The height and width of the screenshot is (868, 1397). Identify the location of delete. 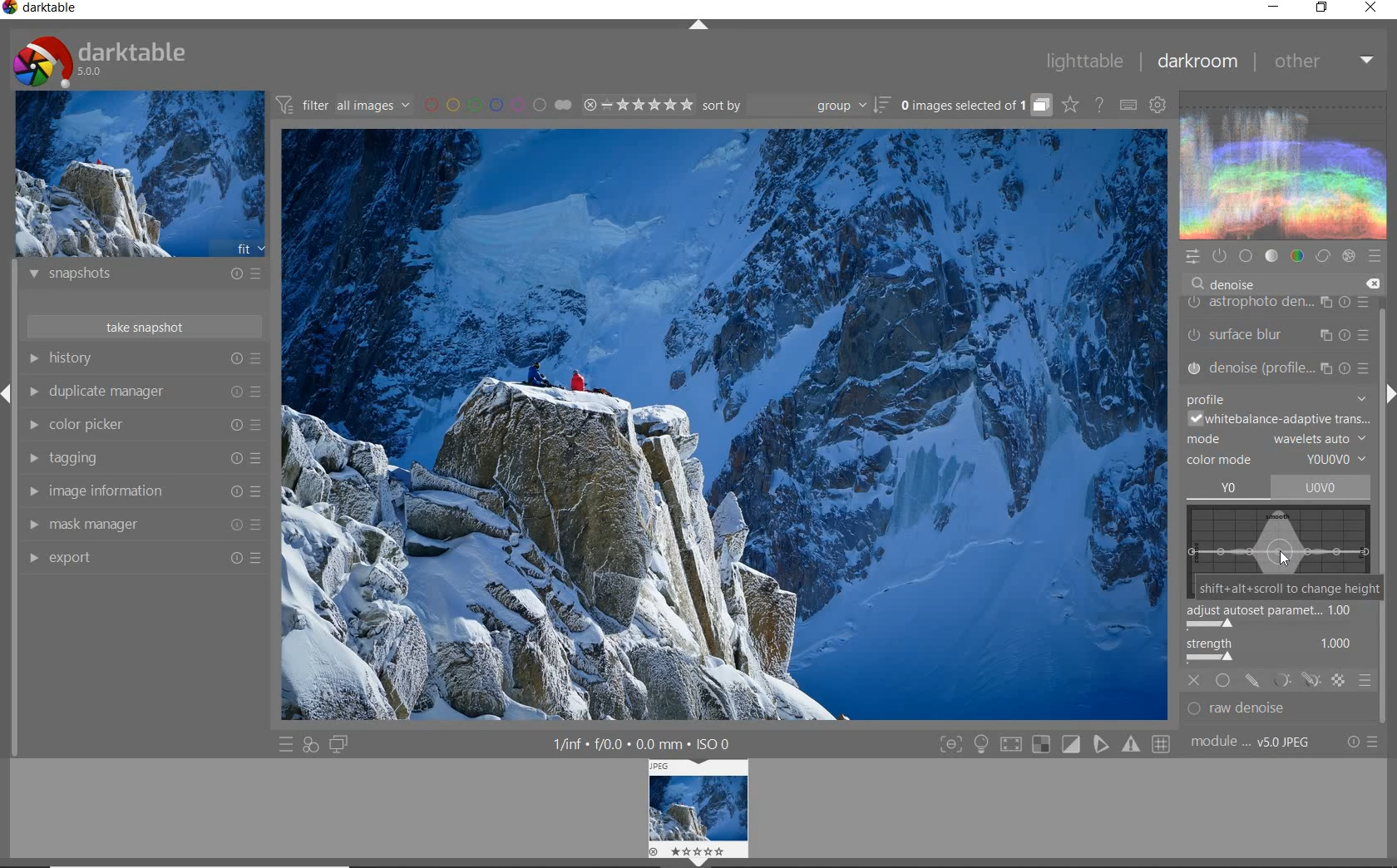
(1371, 284).